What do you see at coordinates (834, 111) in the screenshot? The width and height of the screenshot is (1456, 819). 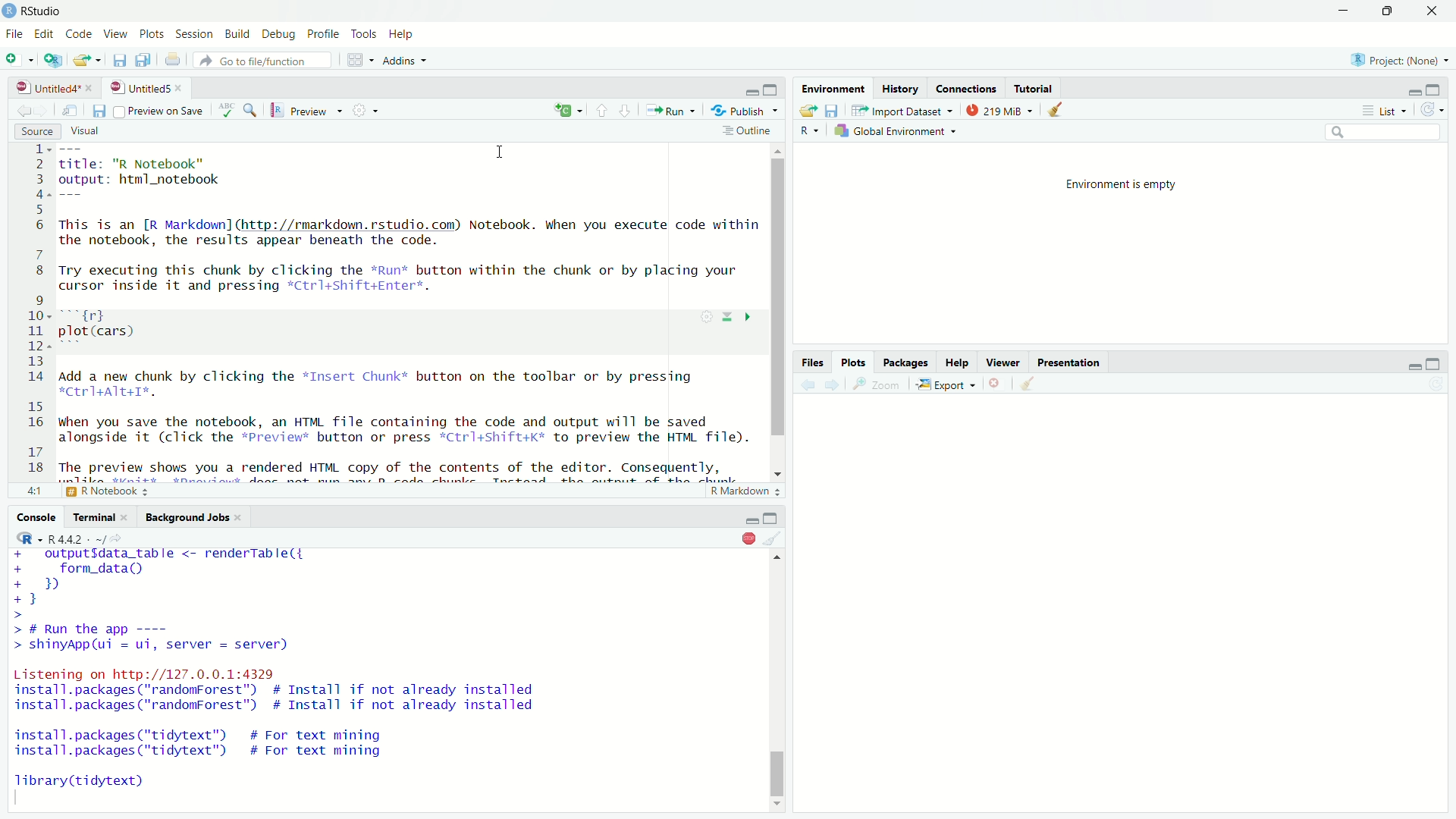 I see `save workspace as` at bounding box center [834, 111].